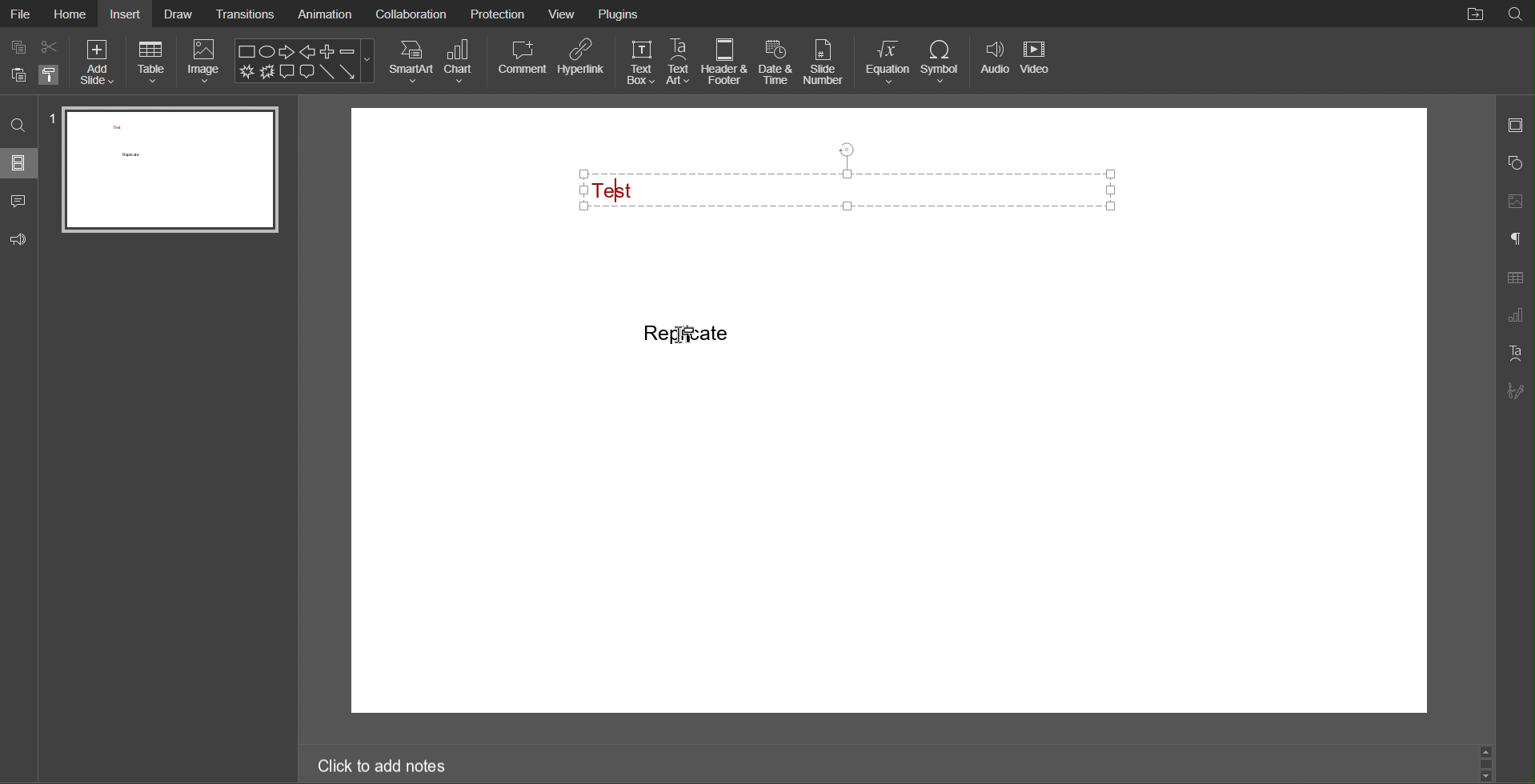  I want to click on Slide Settings, so click(1516, 124).